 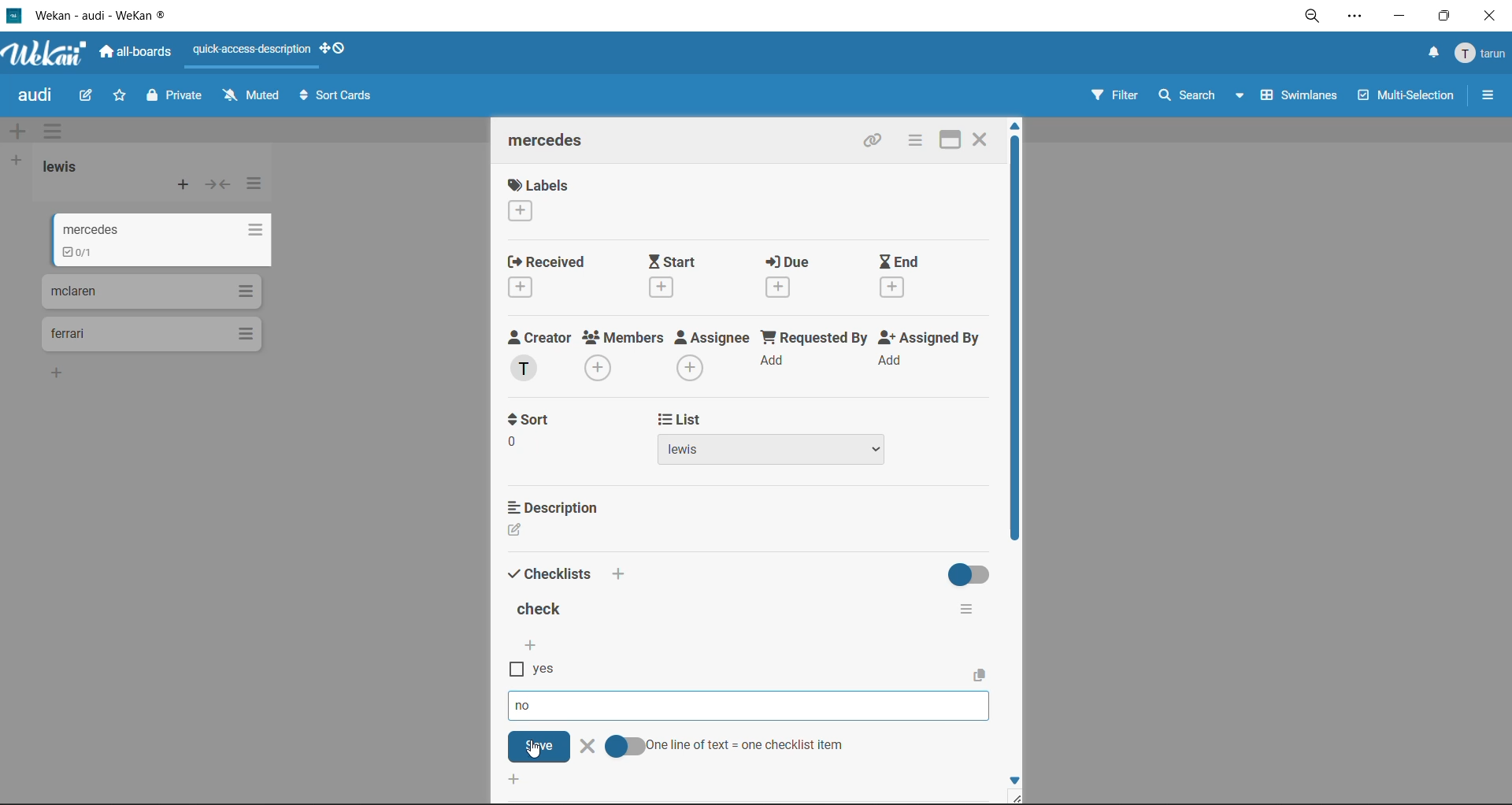 What do you see at coordinates (176, 98) in the screenshot?
I see `private` at bounding box center [176, 98].